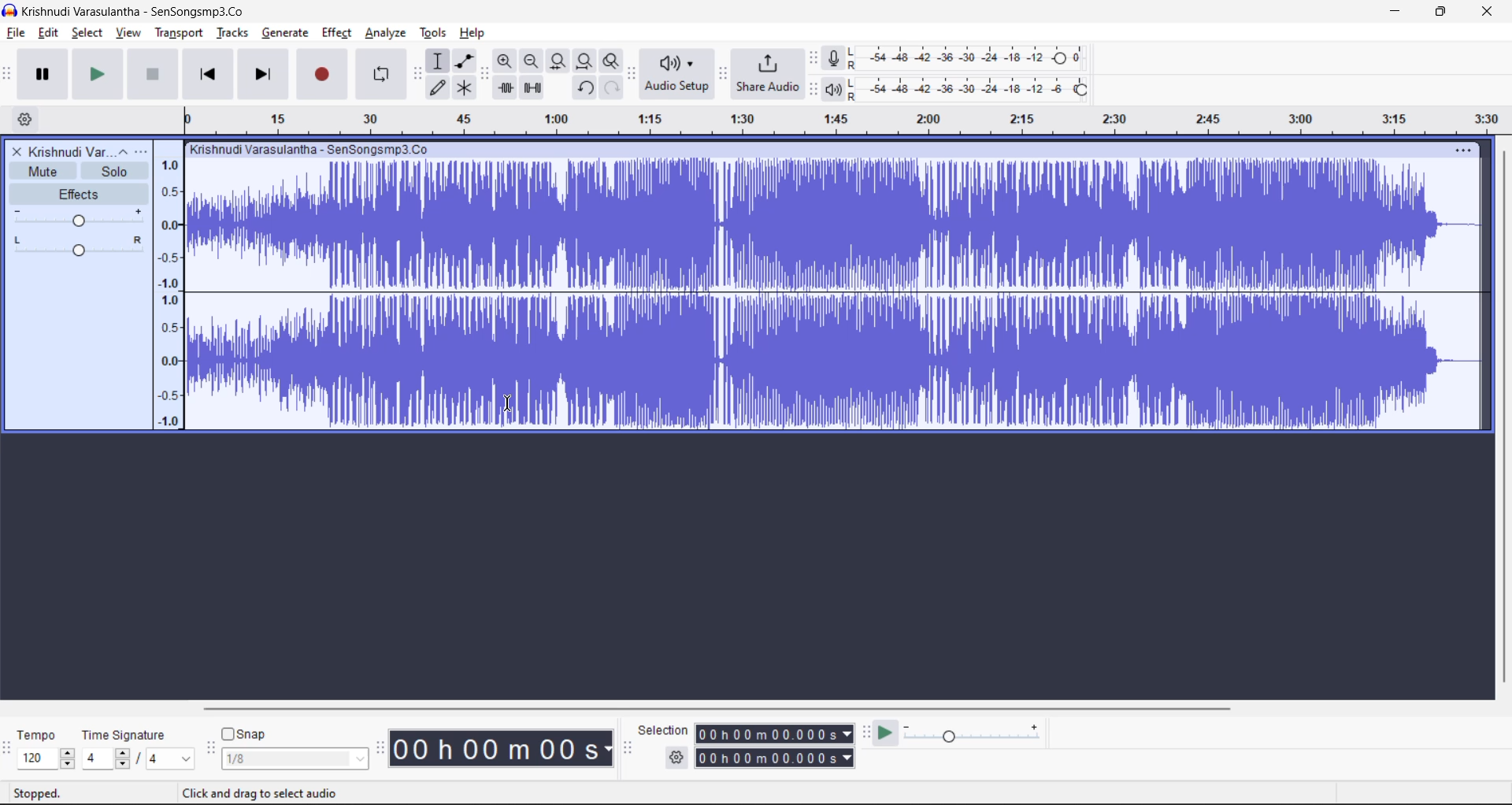 This screenshot has width=1512, height=805. I want to click on speed selector, so click(46, 759).